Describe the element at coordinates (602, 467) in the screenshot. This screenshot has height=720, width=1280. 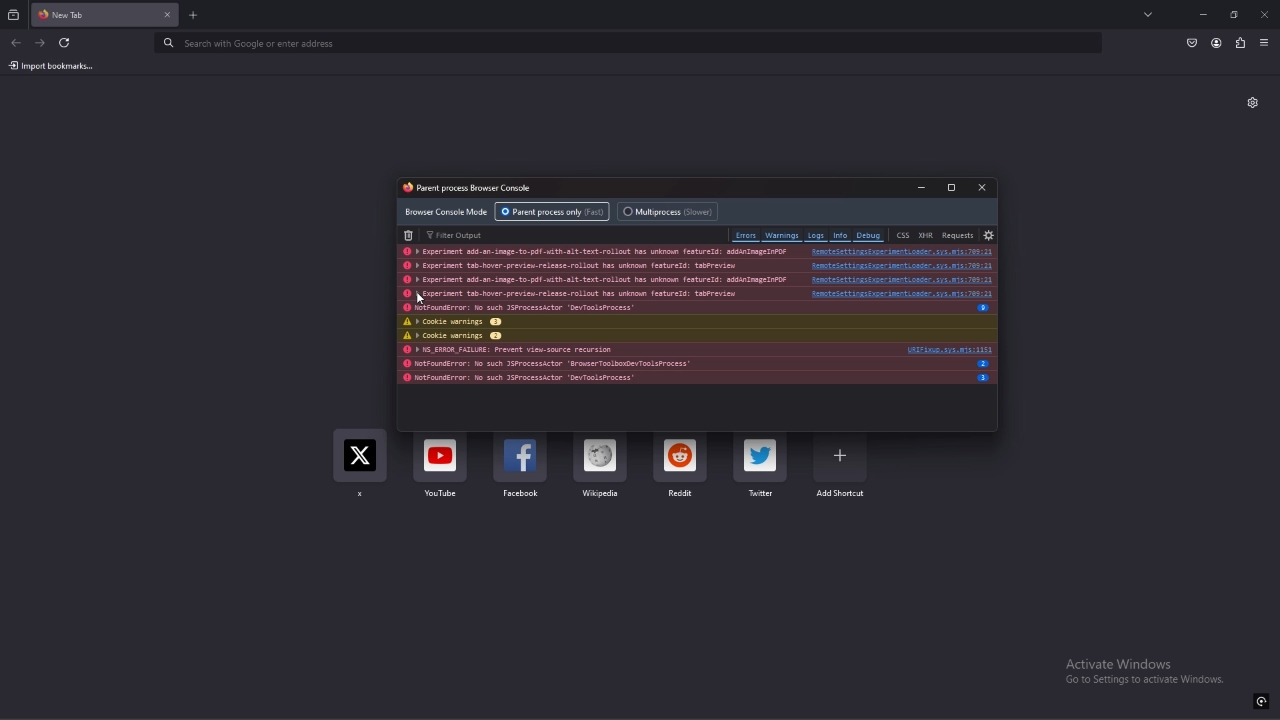
I see `wikipedia` at that location.